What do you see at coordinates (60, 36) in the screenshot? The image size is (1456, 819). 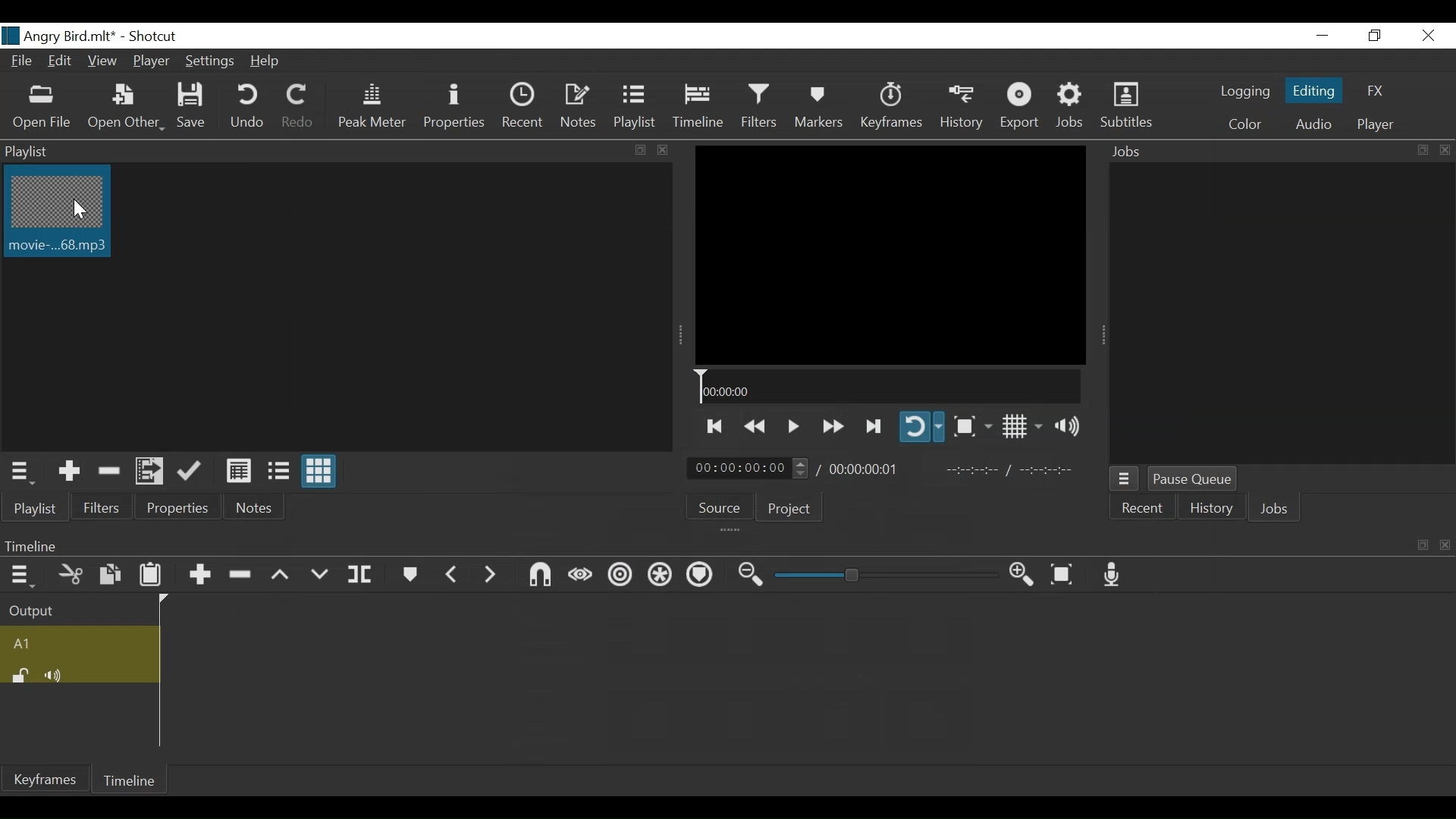 I see `File Name` at bounding box center [60, 36].